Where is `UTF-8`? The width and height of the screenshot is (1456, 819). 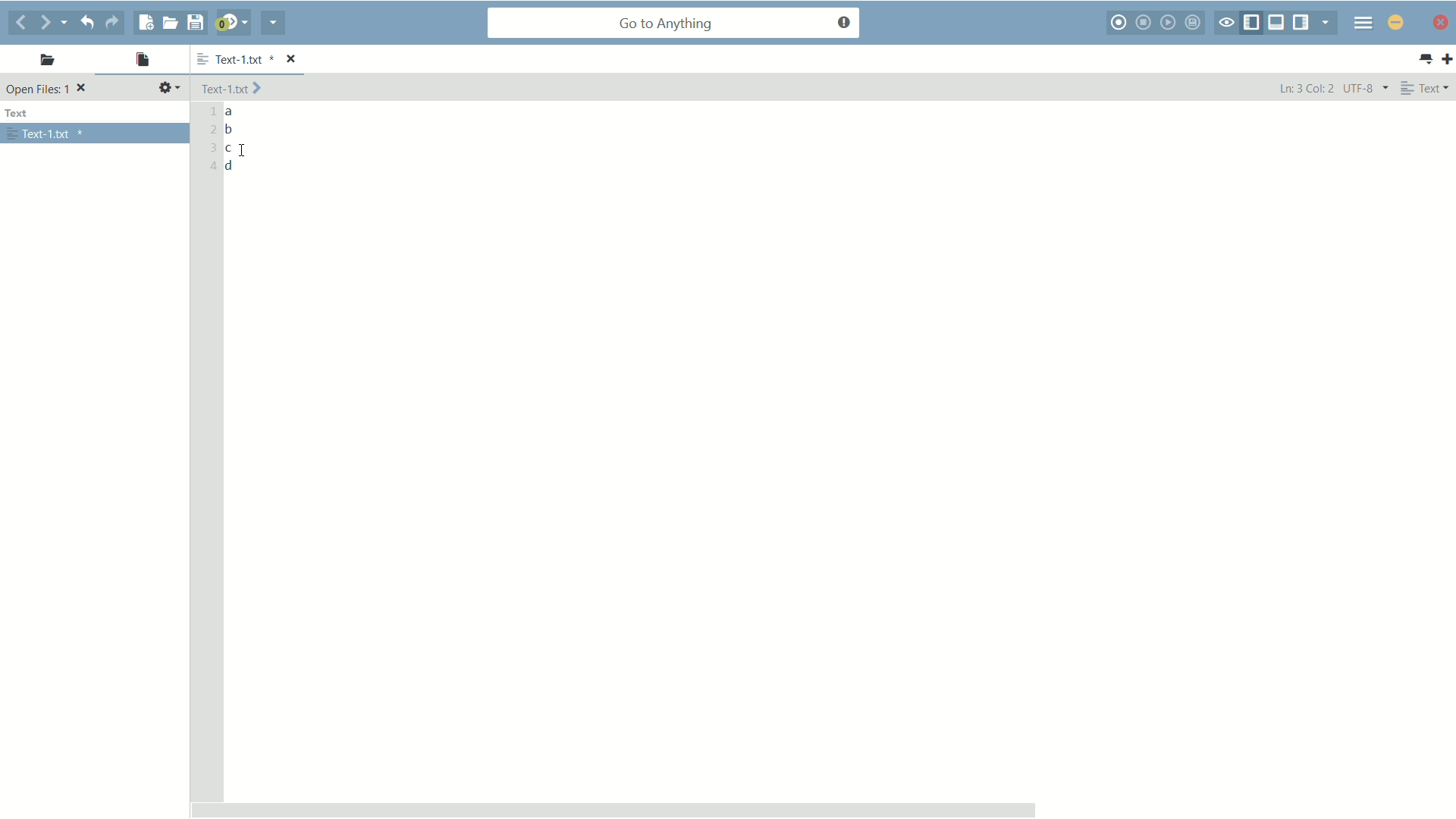 UTF-8 is located at coordinates (1364, 88).